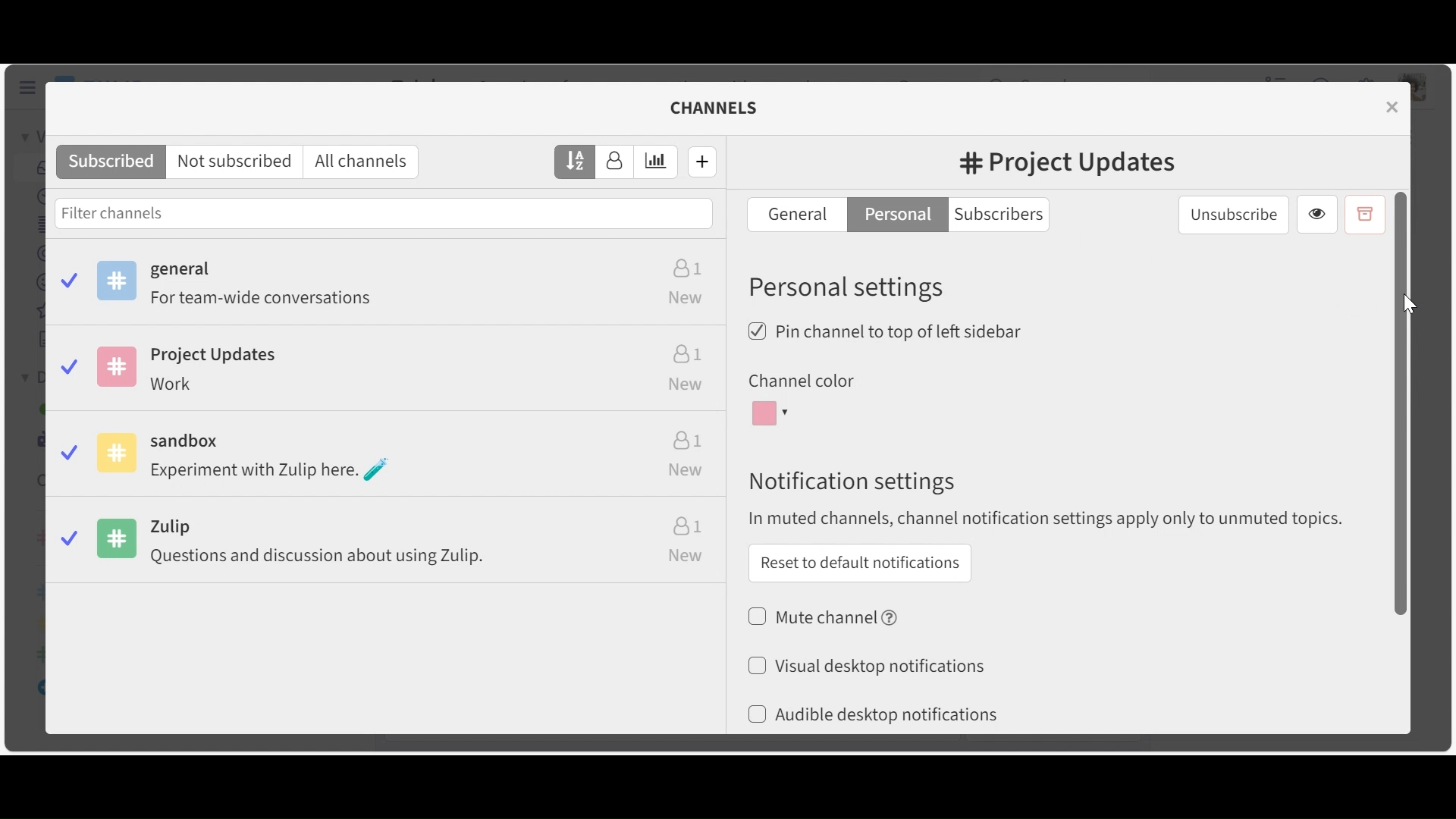 This screenshot has width=1456, height=819. I want to click on Personal, so click(897, 213).